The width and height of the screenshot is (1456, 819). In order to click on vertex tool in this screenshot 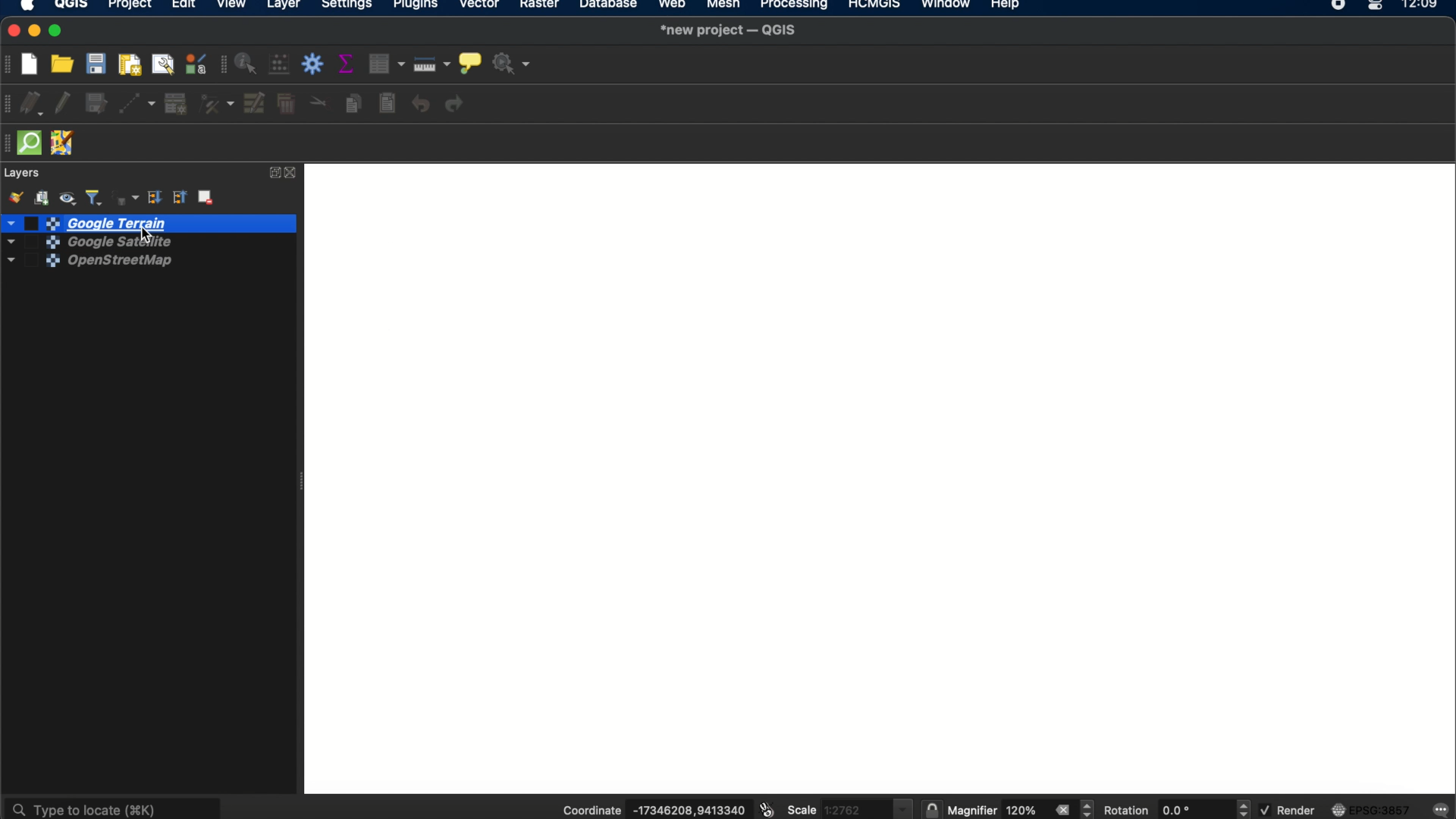, I will do `click(217, 105)`.